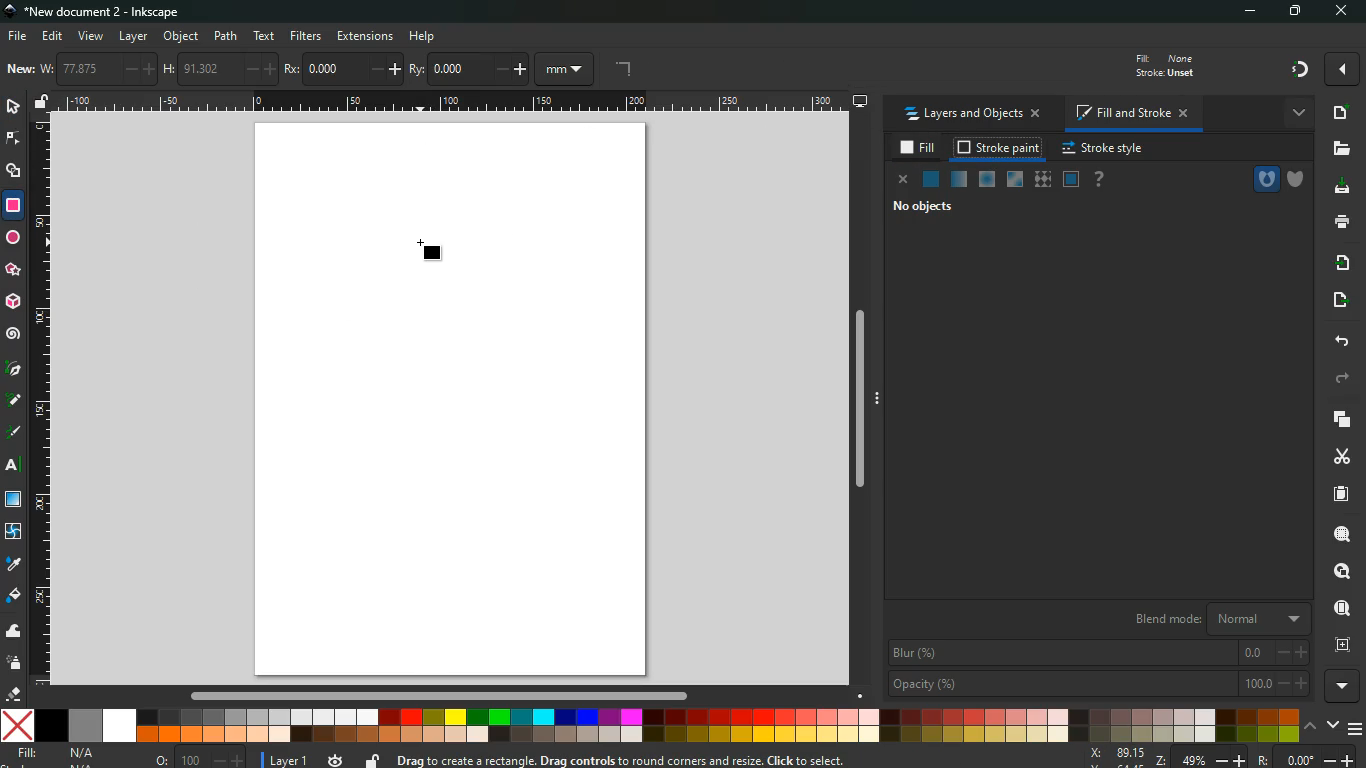 The width and height of the screenshot is (1366, 768). Describe the element at coordinates (13, 402) in the screenshot. I see `highlight` at that location.